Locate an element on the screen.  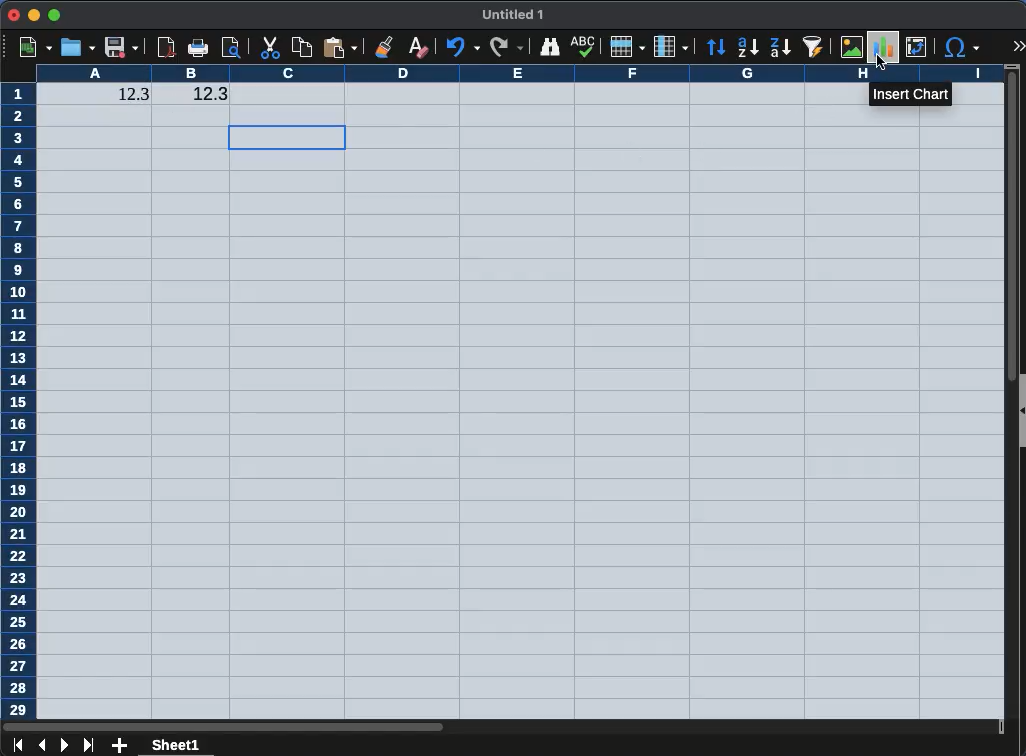
undo is located at coordinates (463, 49).